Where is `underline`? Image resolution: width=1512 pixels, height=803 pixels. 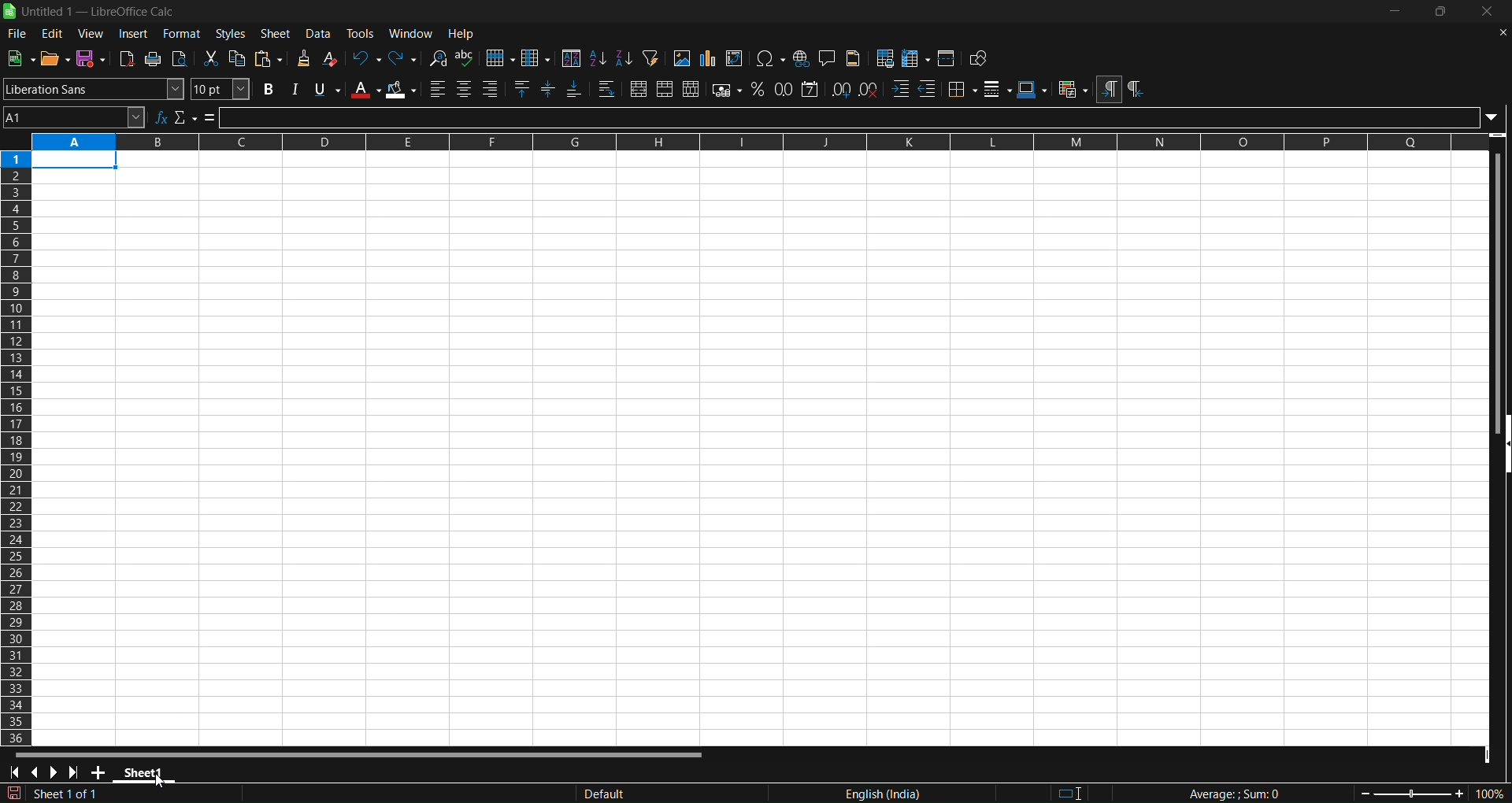 underline is located at coordinates (327, 90).